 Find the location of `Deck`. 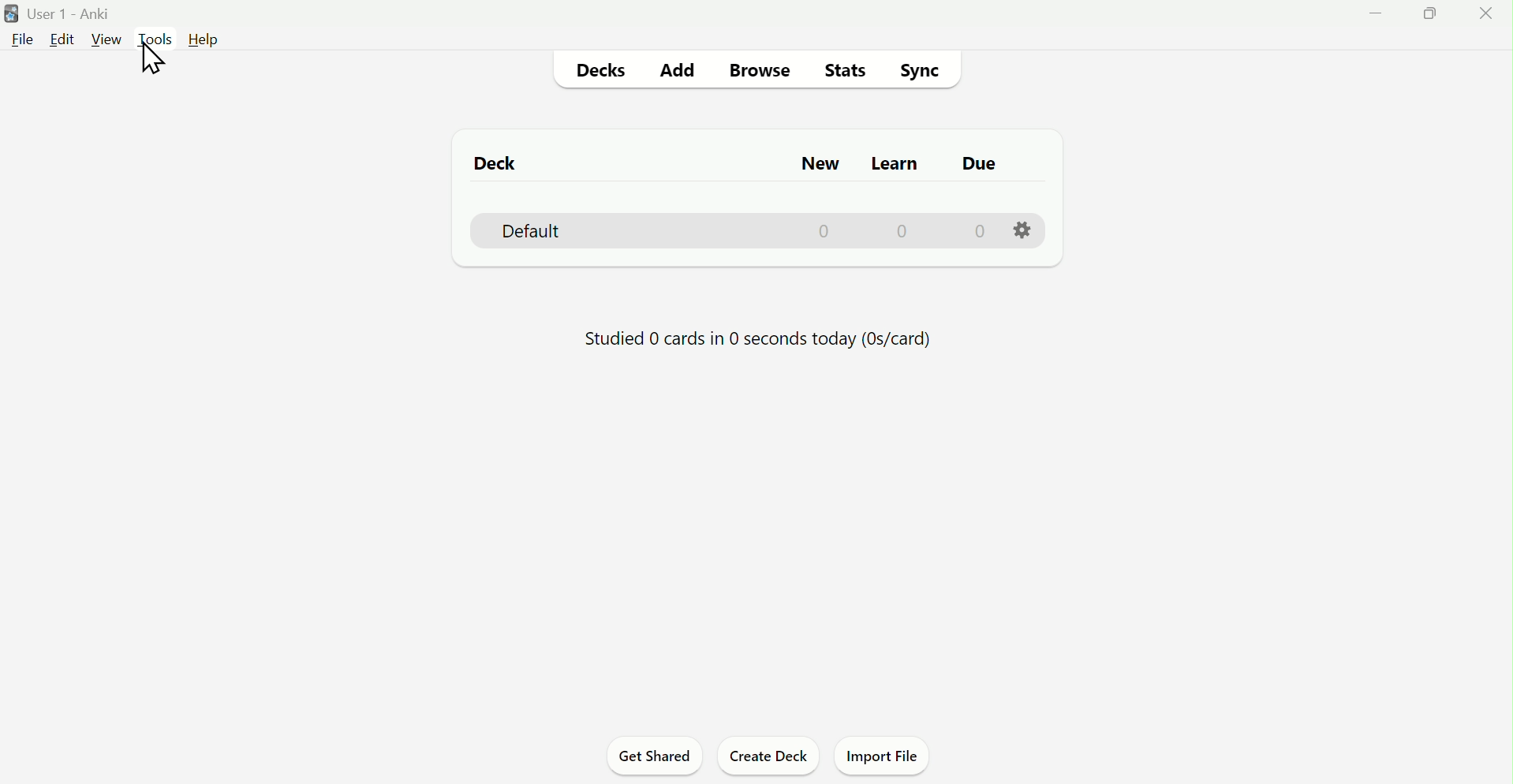

Deck is located at coordinates (510, 162).